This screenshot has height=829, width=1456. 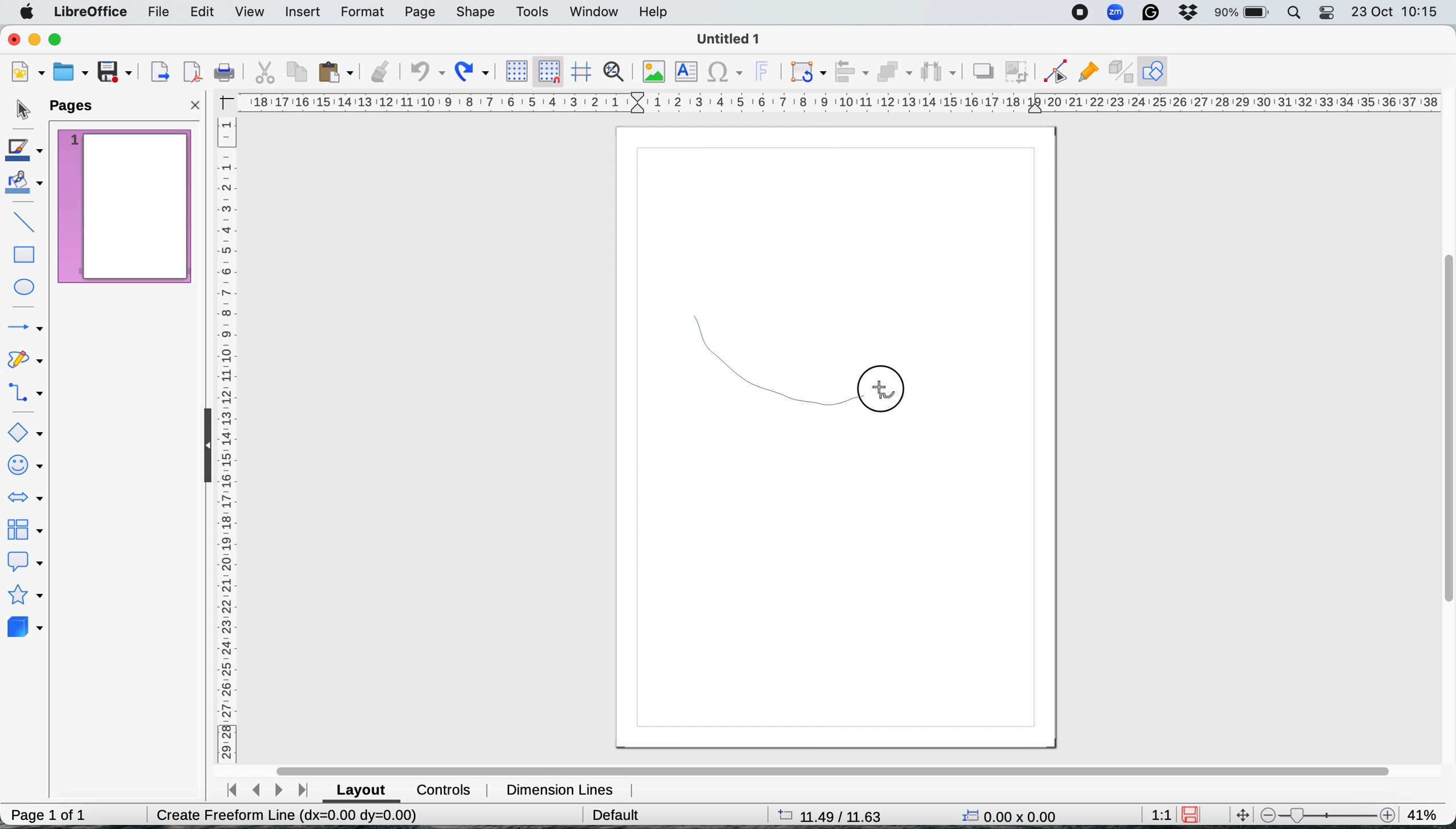 What do you see at coordinates (360, 791) in the screenshot?
I see `layout` at bounding box center [360, 791].